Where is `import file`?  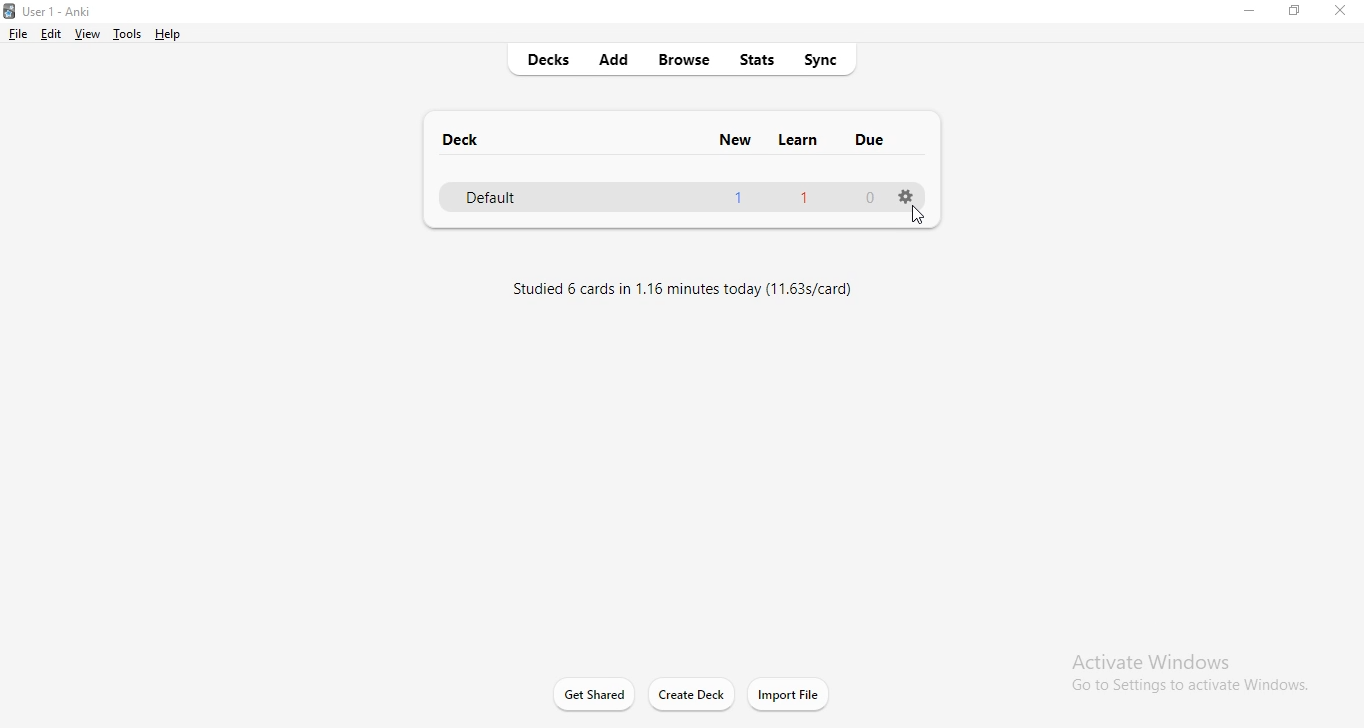
import file is located at coordinates (790, 695).